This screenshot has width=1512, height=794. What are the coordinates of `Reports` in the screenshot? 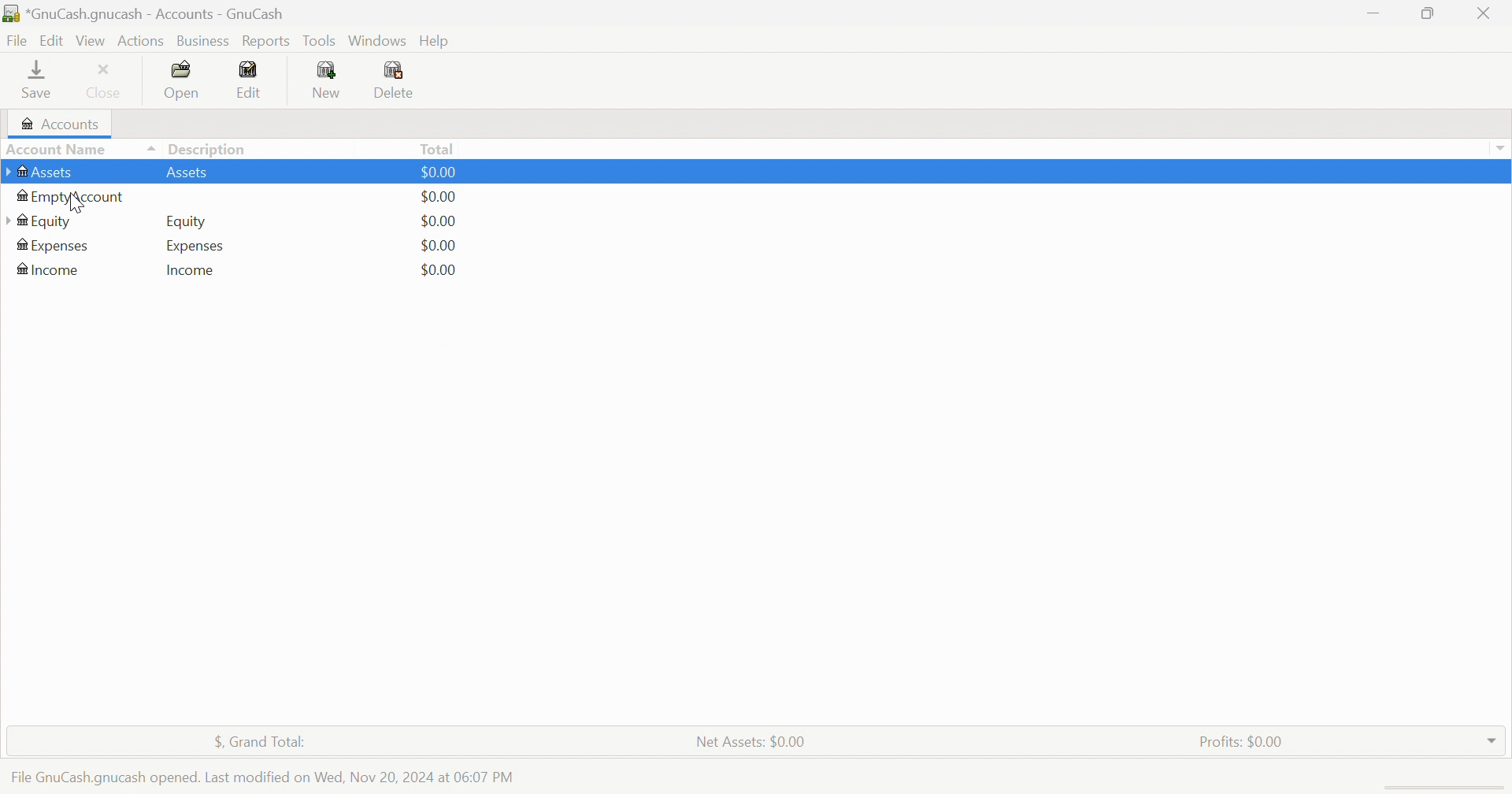 It's located at (270, 42).